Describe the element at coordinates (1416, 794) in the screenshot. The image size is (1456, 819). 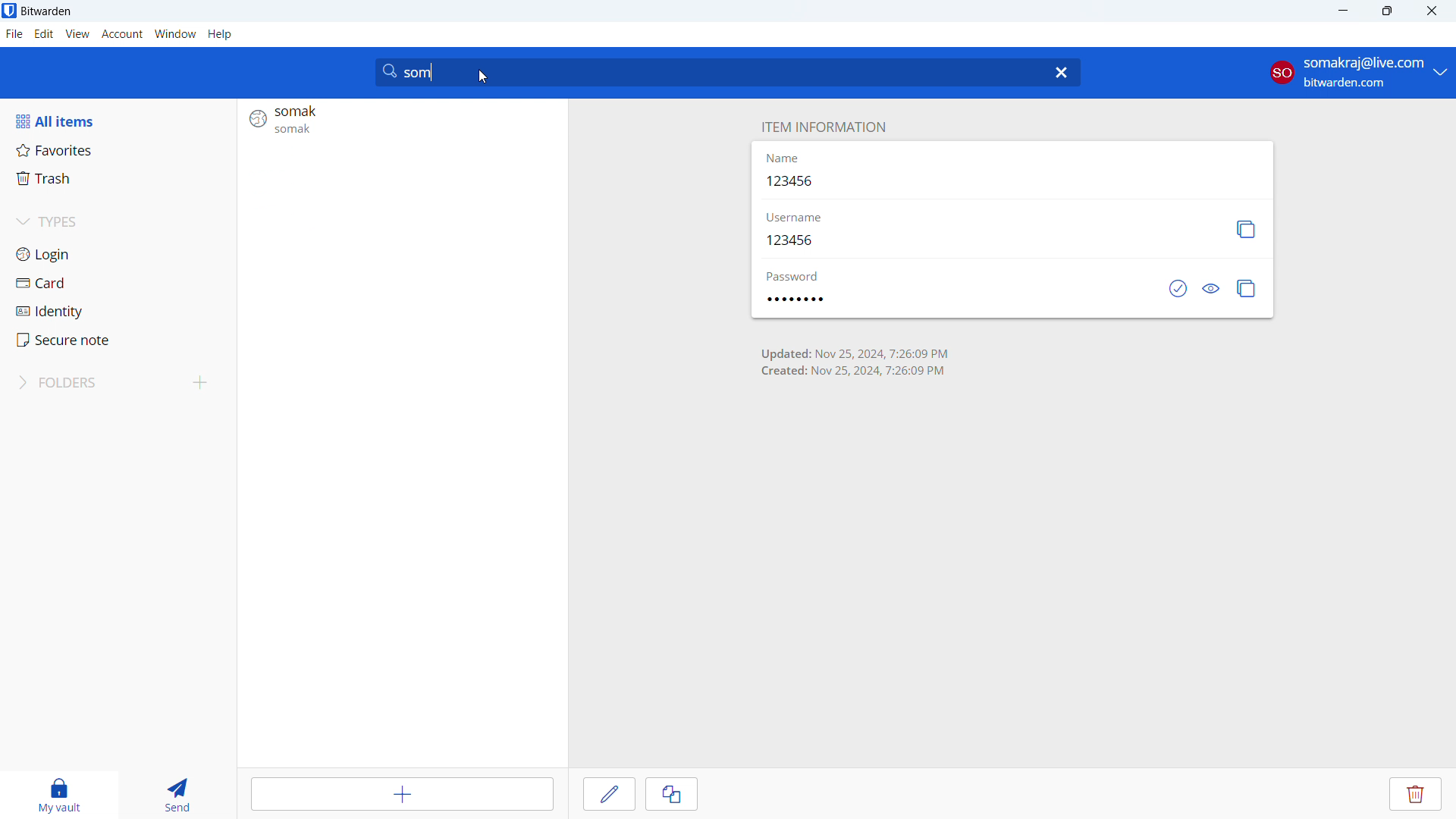
I see `delete entry` at that location.